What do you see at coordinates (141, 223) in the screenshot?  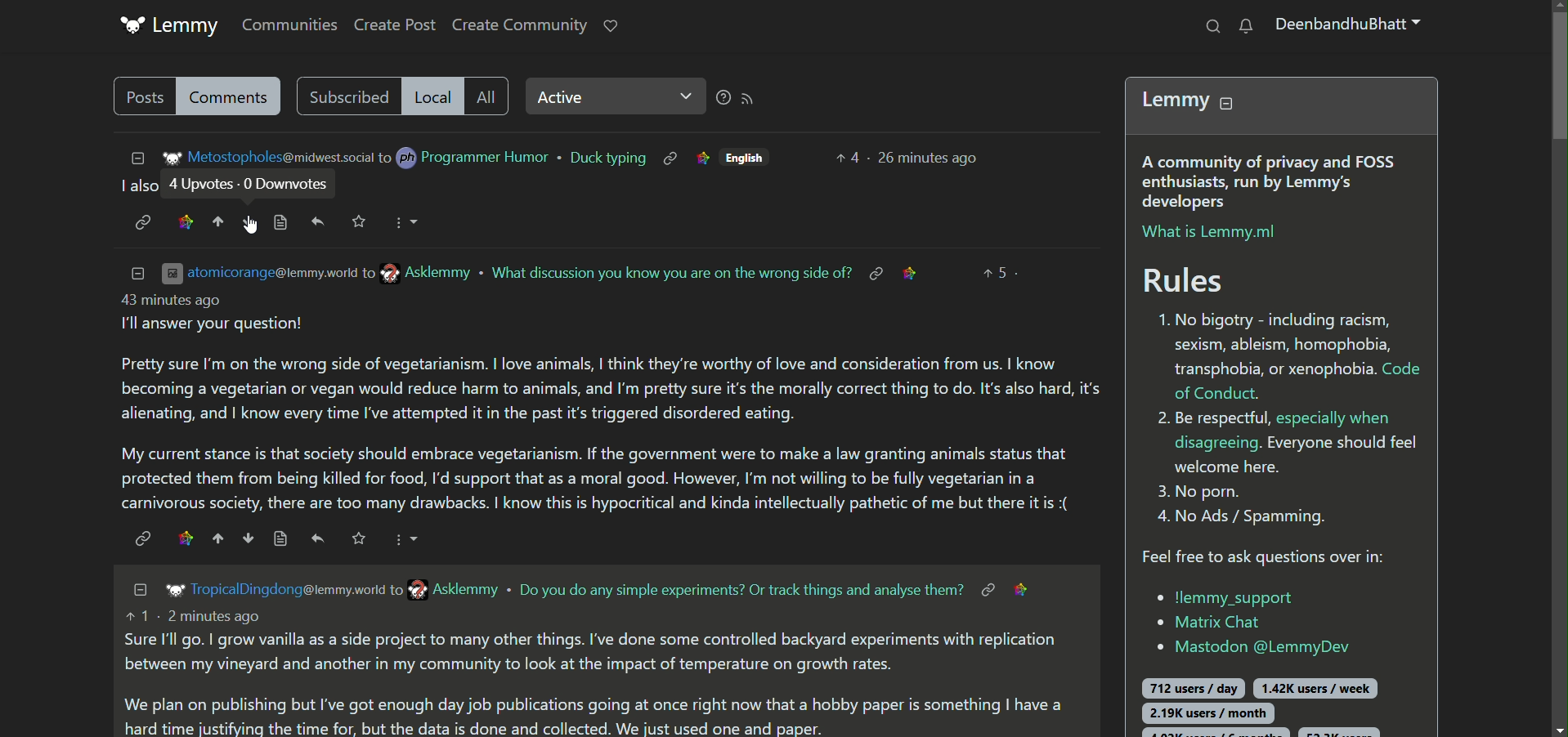 I see `hyperlink` at bounding box center [141, 223].